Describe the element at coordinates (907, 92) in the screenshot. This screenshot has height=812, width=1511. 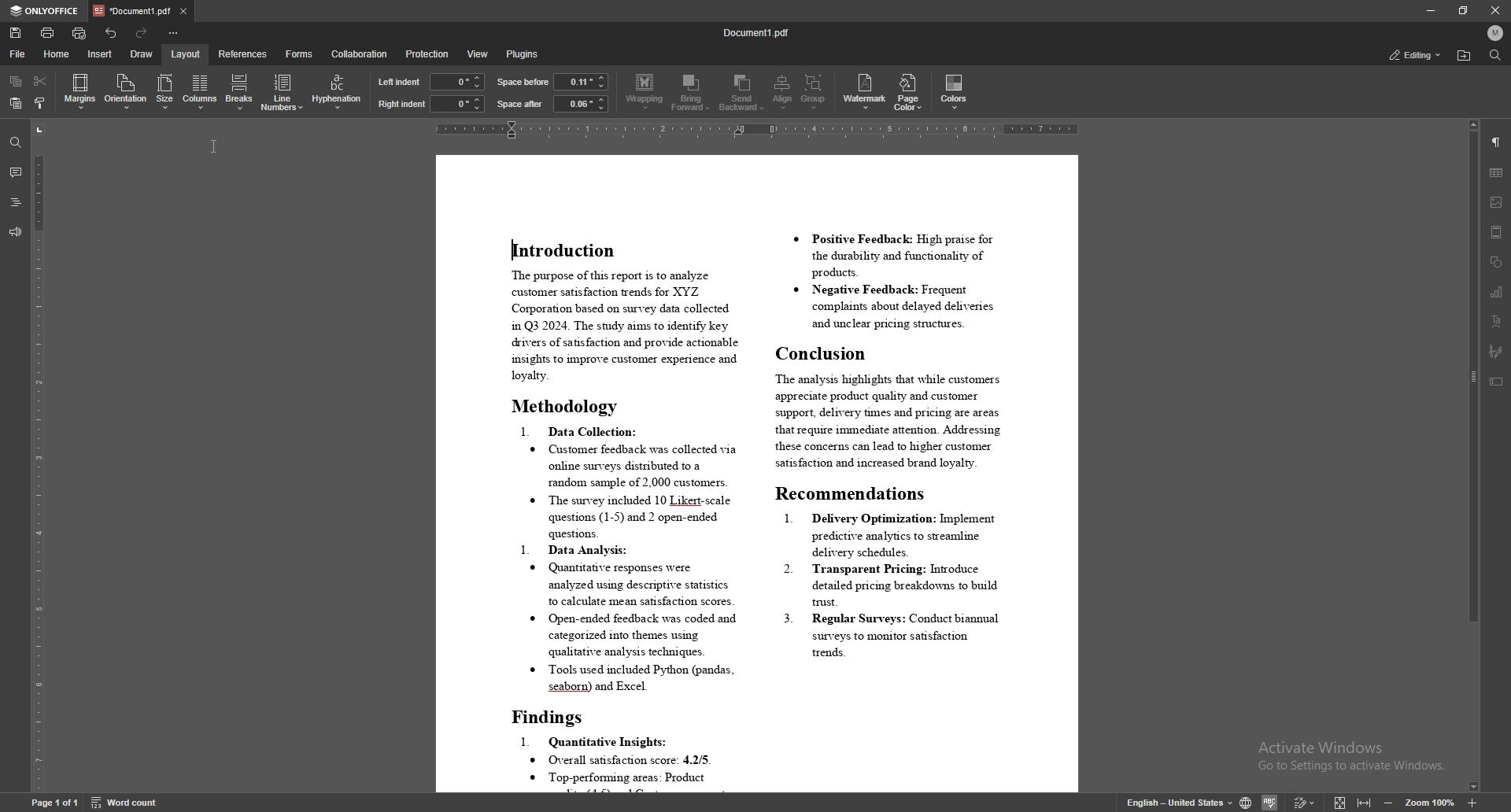
I see `page color` at that location.